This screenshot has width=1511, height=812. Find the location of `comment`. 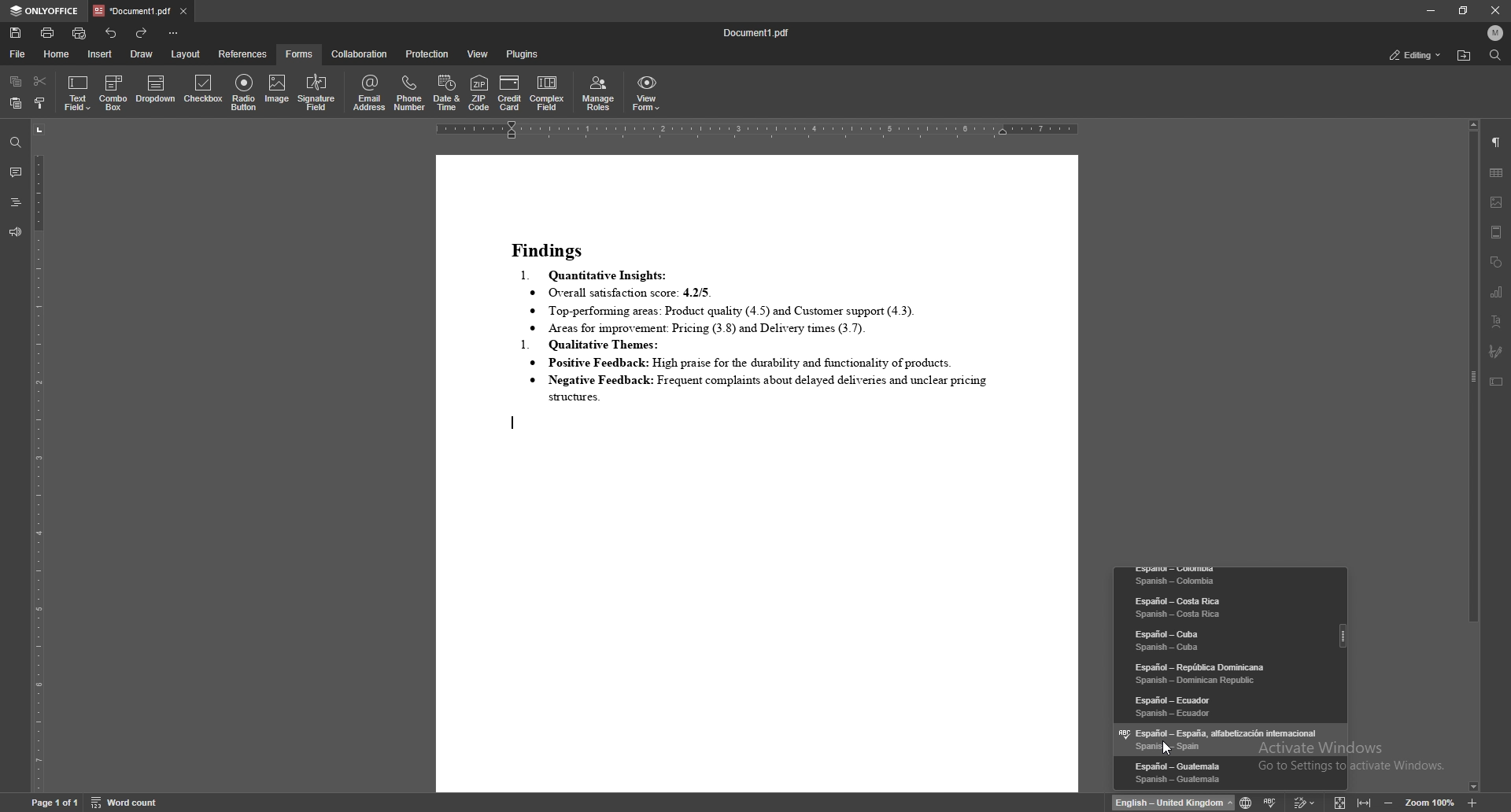

comment is located at coordinates (15, 172).